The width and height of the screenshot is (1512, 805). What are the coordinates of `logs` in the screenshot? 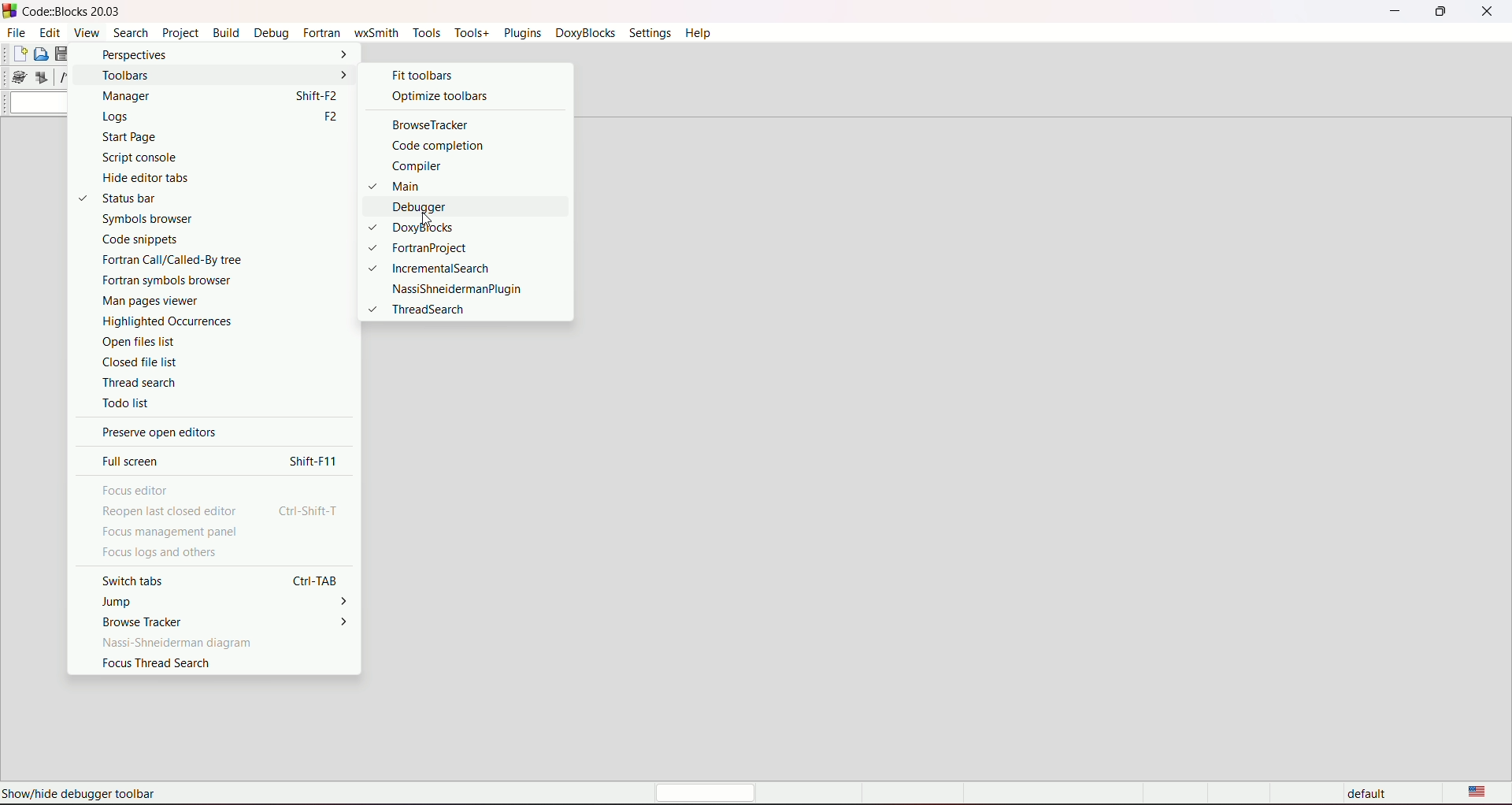 It's located at (191, 117).